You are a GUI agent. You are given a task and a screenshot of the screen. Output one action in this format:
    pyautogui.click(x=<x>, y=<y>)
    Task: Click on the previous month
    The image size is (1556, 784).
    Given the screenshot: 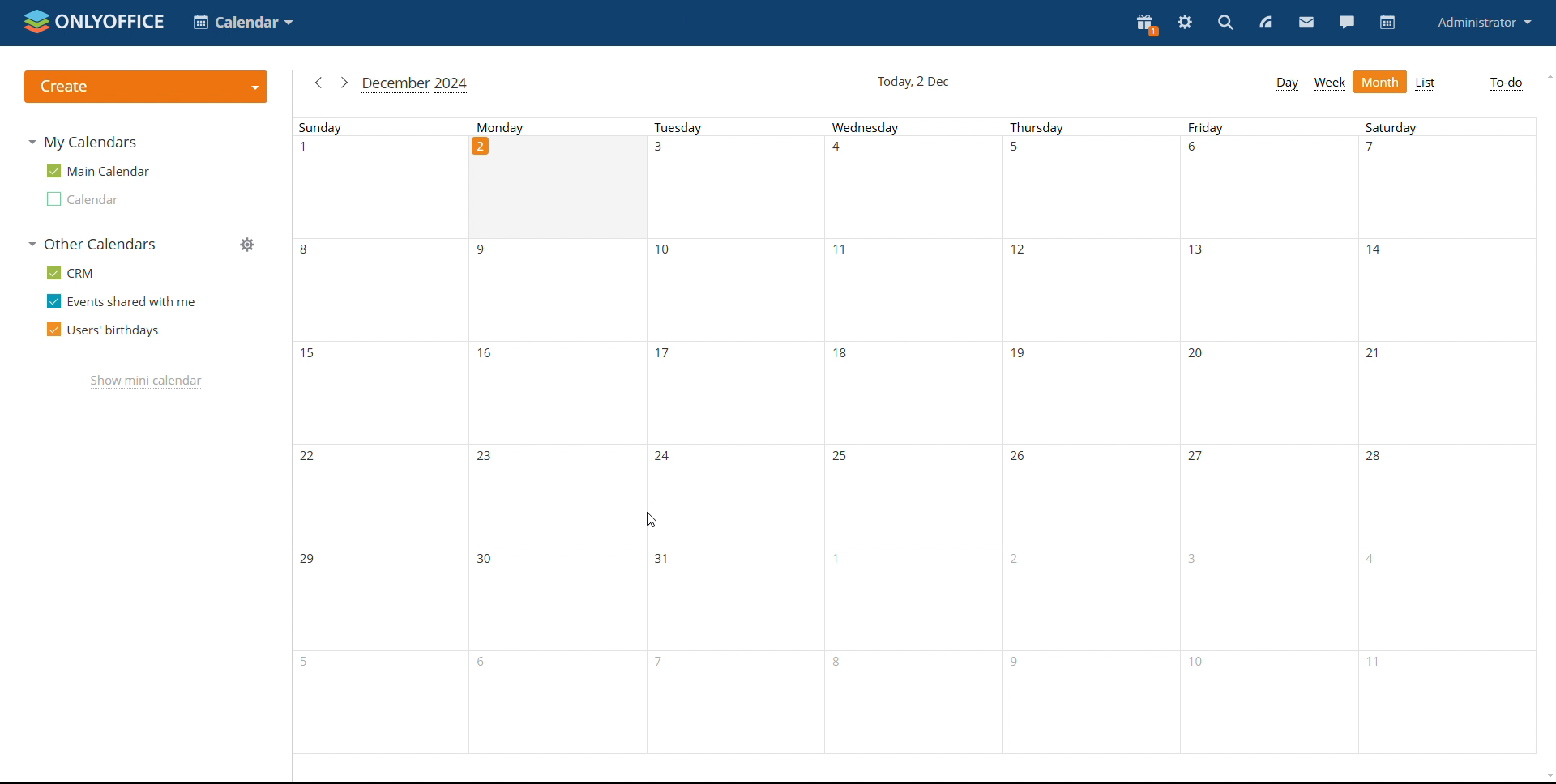 What is the action you would take?
    pyautogui.click(x=318, y=83)
    